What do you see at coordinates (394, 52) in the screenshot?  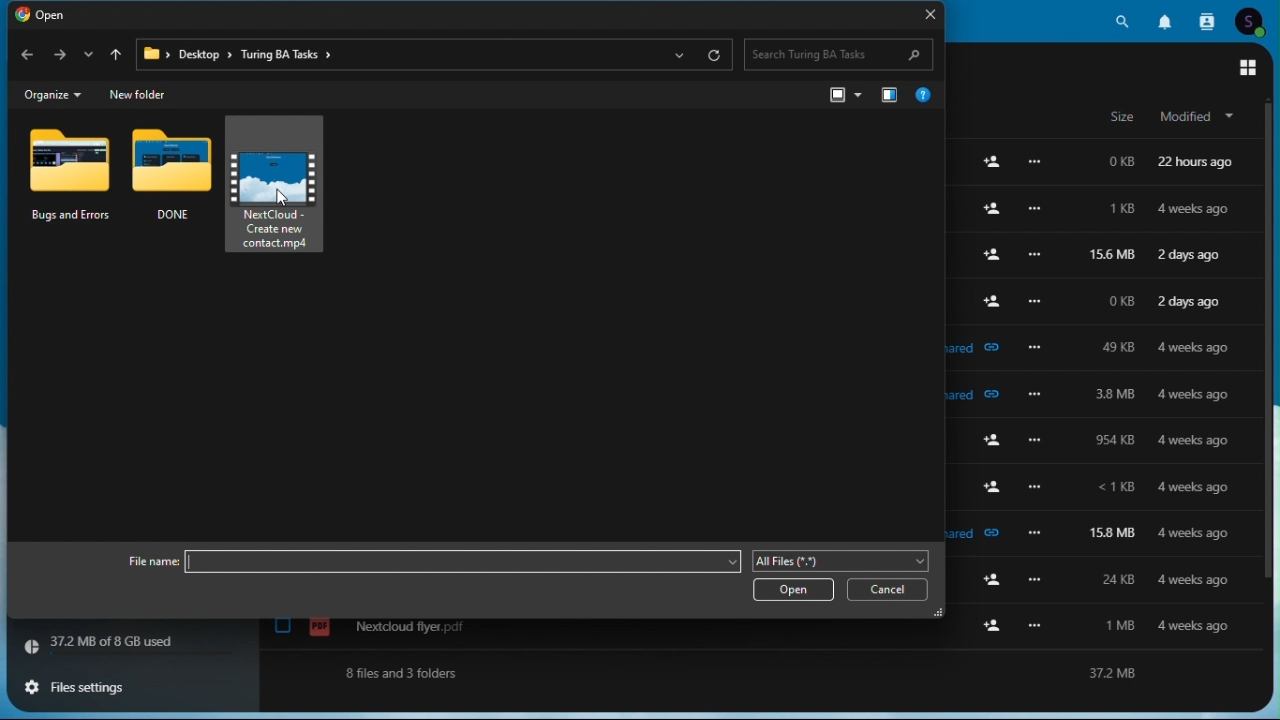 I see `Address bar` at bounding box center [394, 52].